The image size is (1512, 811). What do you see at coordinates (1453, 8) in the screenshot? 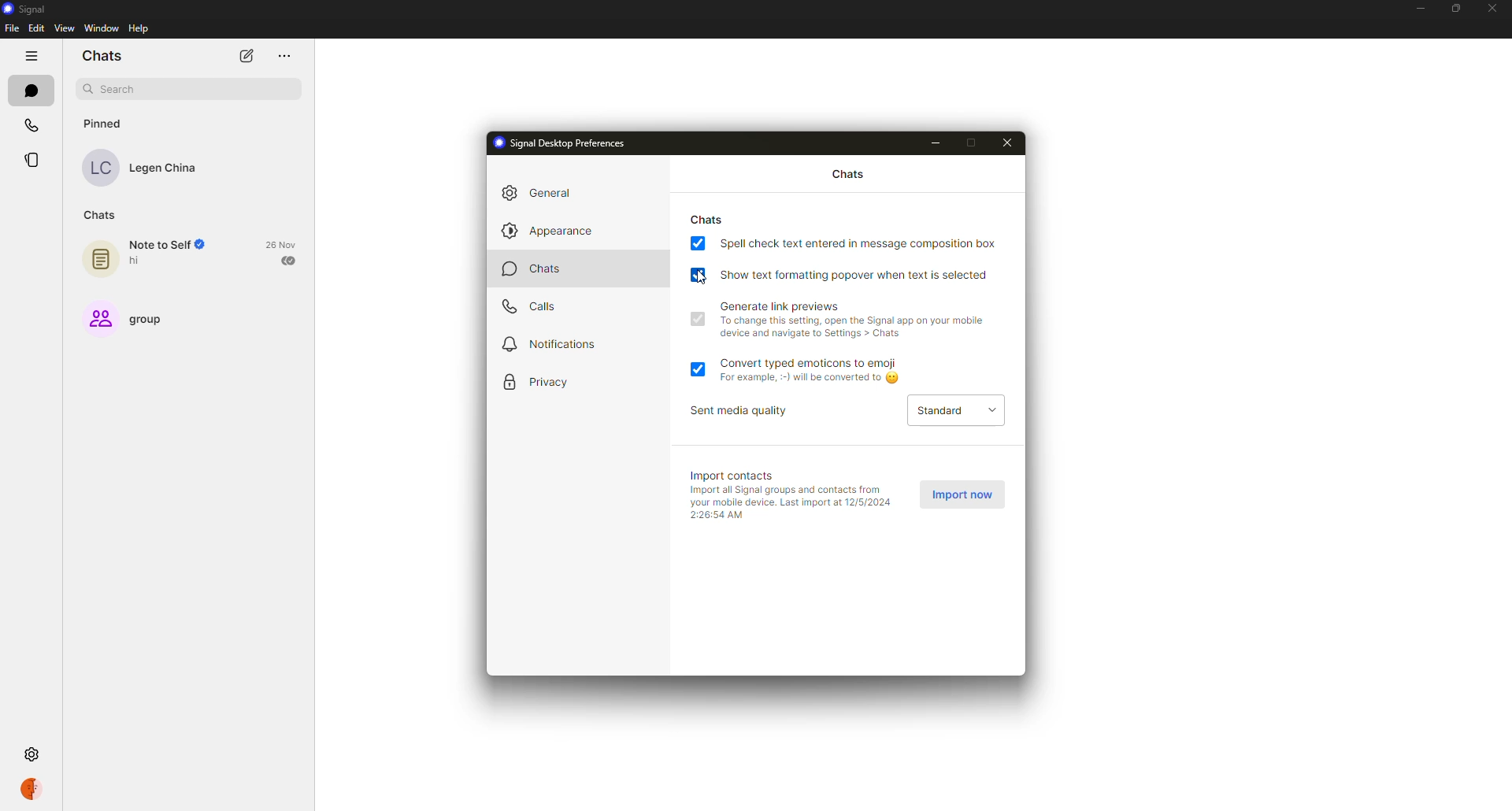
I see `maximize` at bounding box center [1453, 8].